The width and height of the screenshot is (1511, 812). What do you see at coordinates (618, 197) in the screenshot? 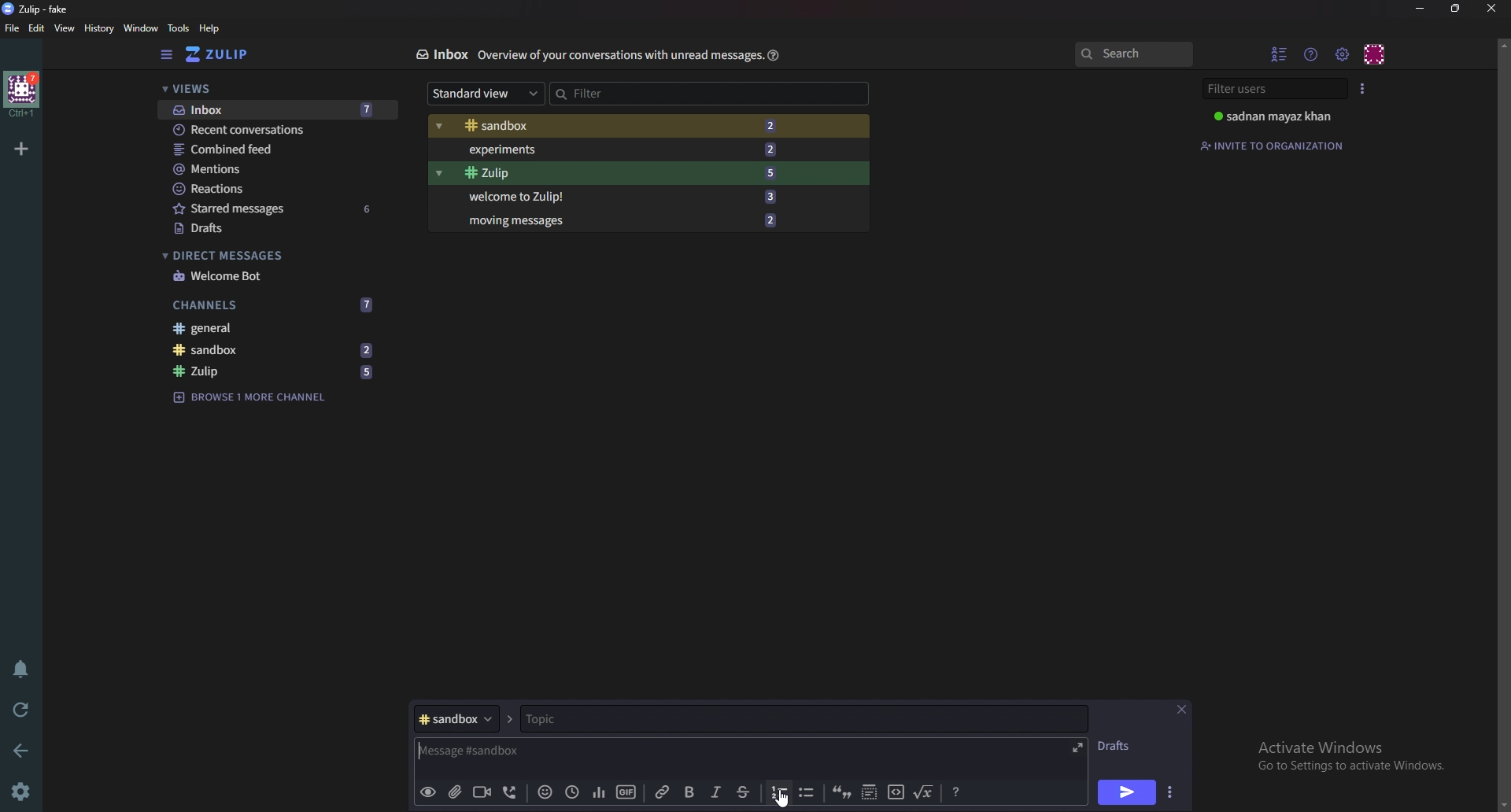
I see `Welcome to Zulip` at bounding box center [618, 197].